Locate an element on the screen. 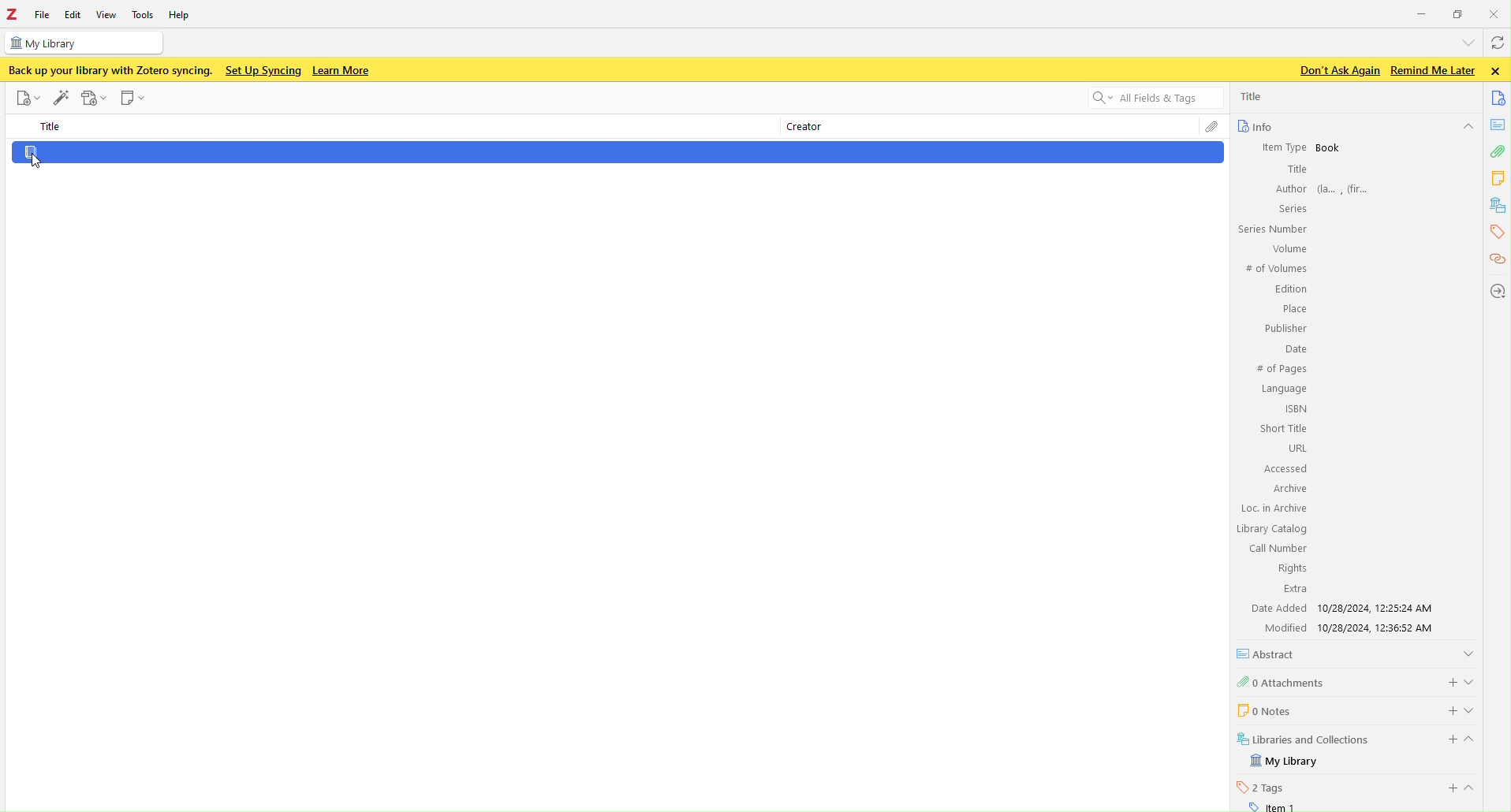  list all tabs is located at coordinates (1462, 46).